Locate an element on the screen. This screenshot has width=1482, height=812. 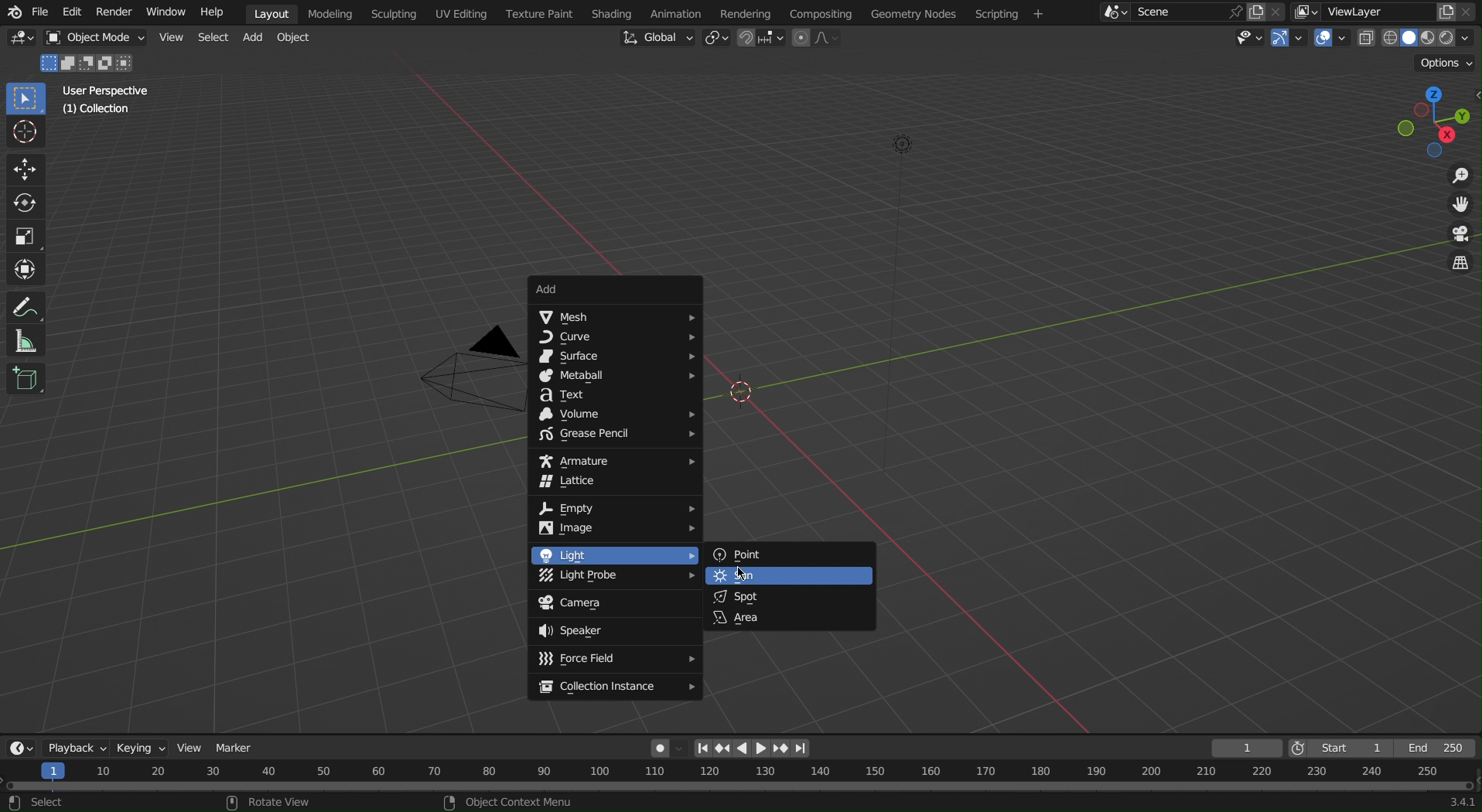
Transform is located at coordinates (28, 270).